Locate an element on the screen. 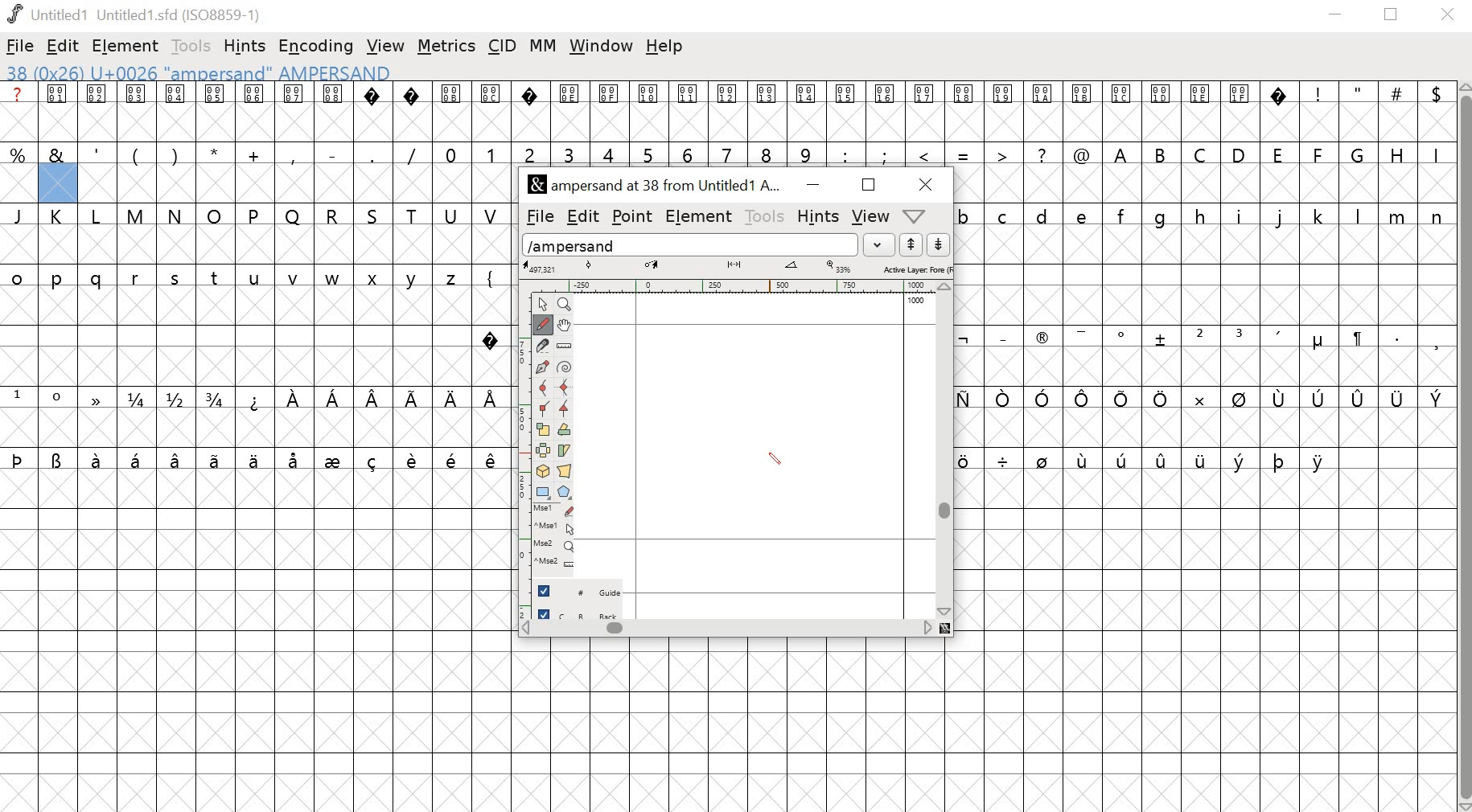 The image size is (1472, 812). maximize is located at coordinates (1394, 15).